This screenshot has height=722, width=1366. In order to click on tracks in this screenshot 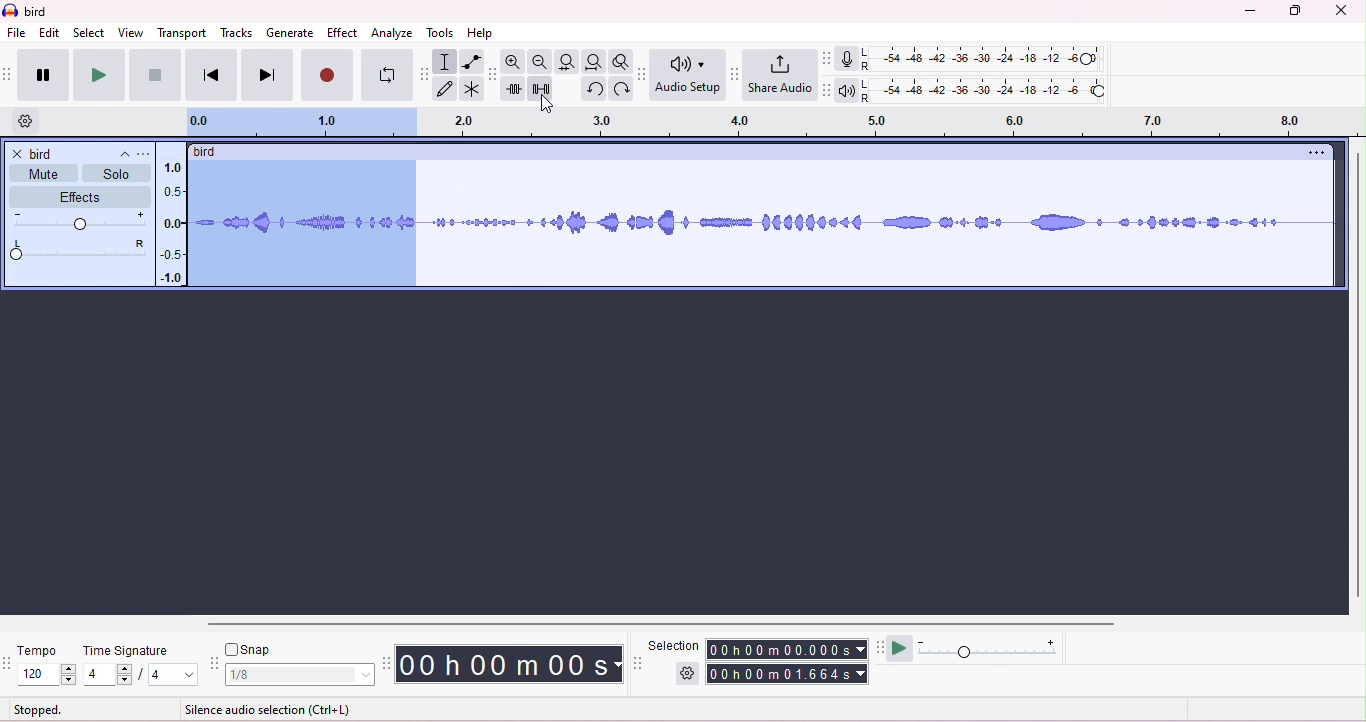, I will do `click(236, 34)`.